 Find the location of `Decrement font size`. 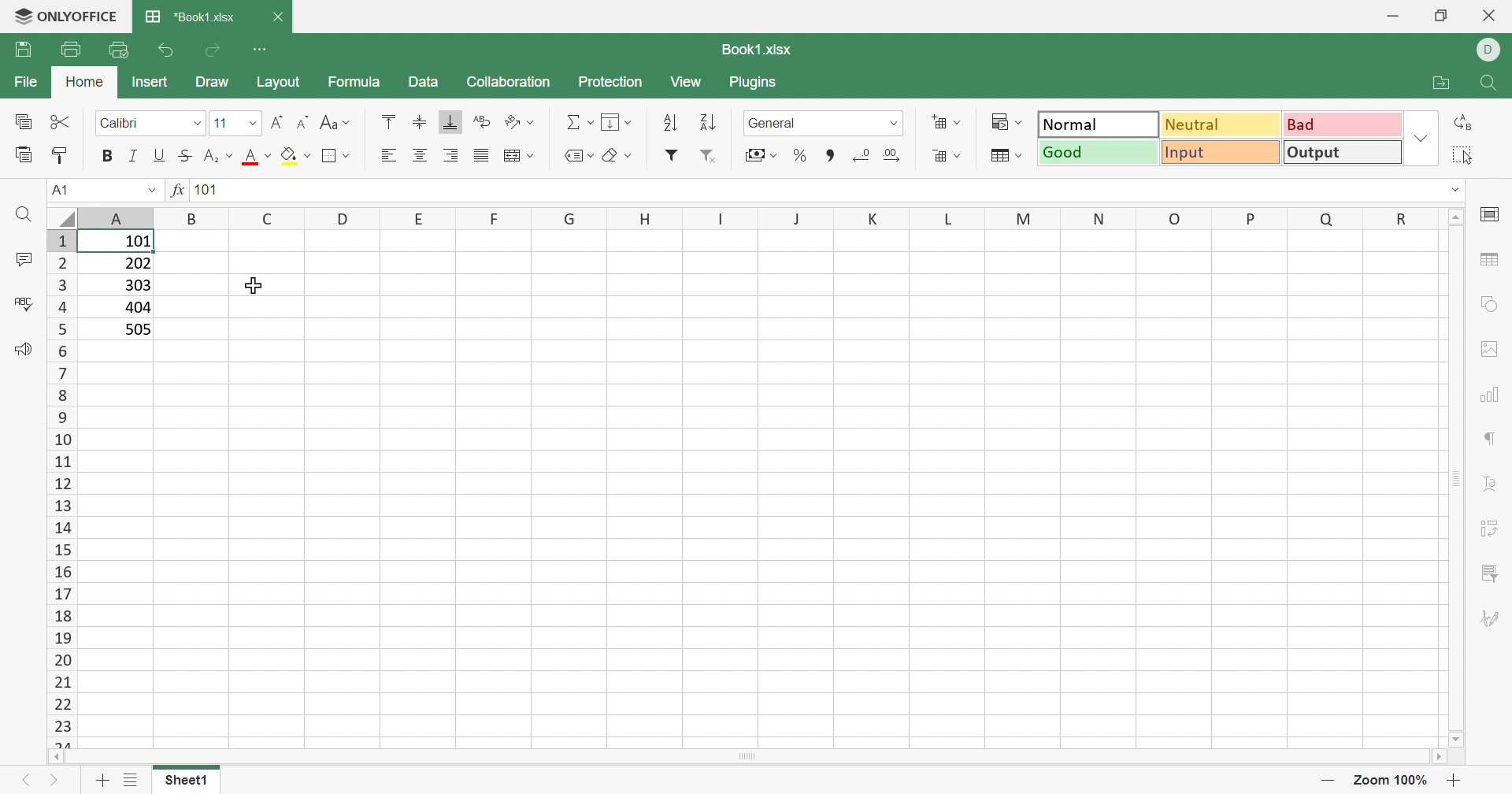

Decrement font size is located at coordinates (301, 121).